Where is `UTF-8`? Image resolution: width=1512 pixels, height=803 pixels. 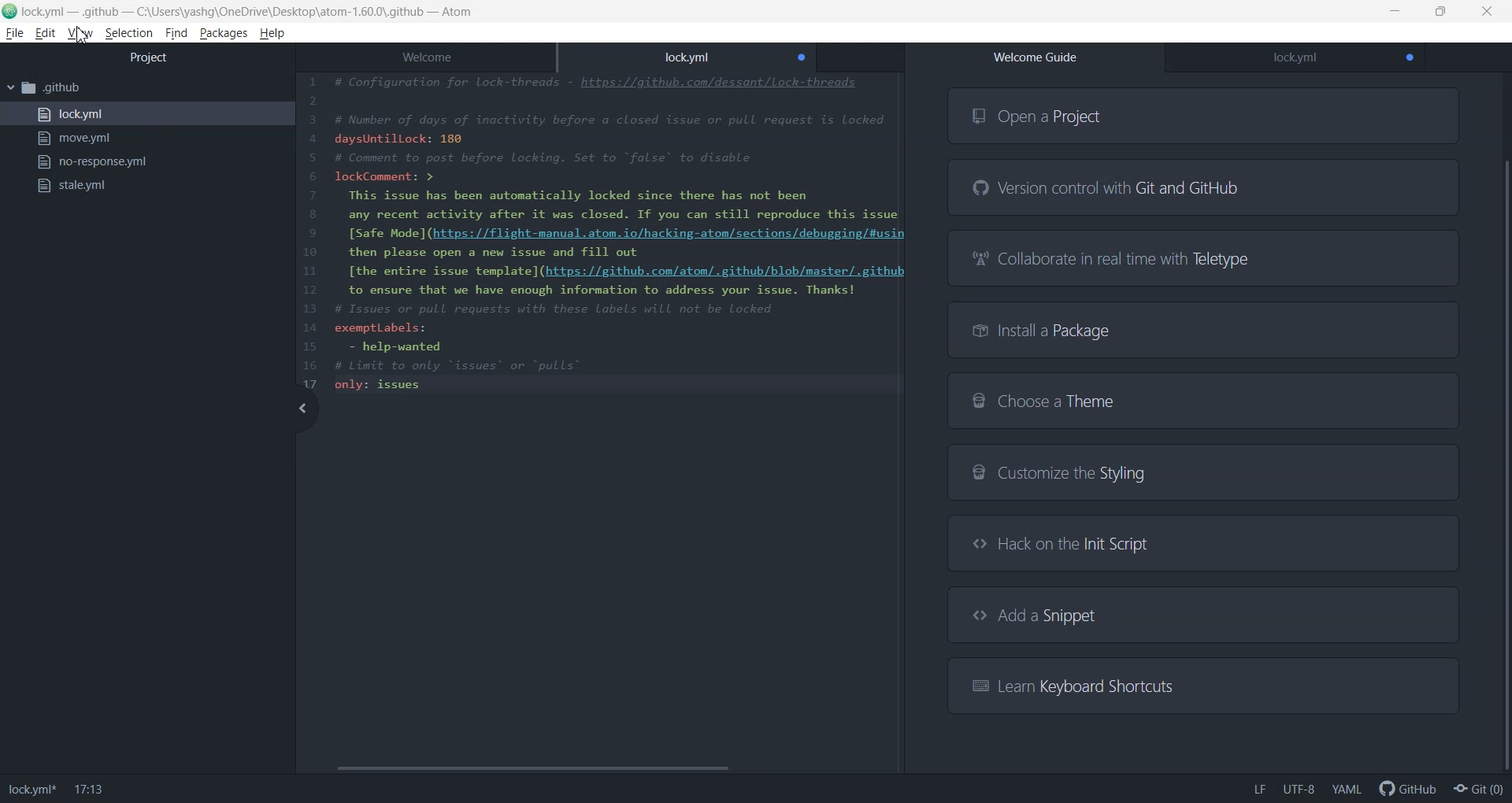
UTF-8 is located at coordinates (1299, 789).